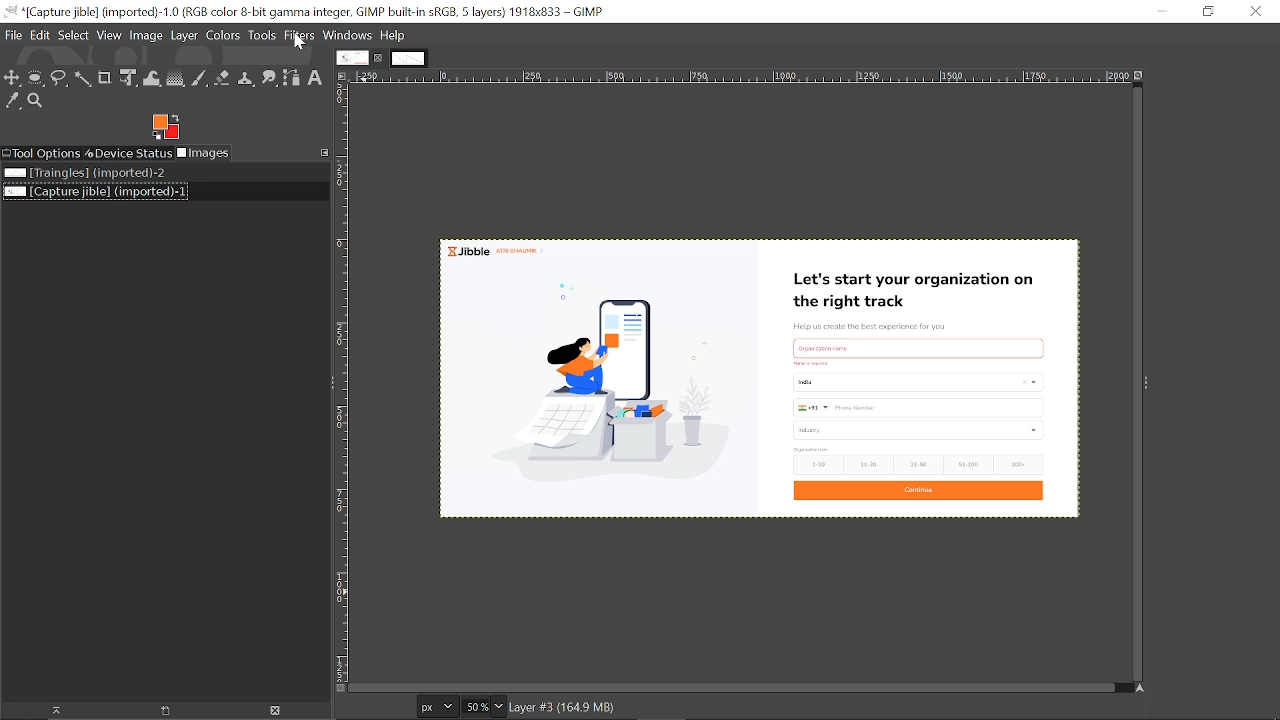 Image resolution: width=1280 pixels, height=720 pixels. I want to click on 100+, so click(1024, 465).